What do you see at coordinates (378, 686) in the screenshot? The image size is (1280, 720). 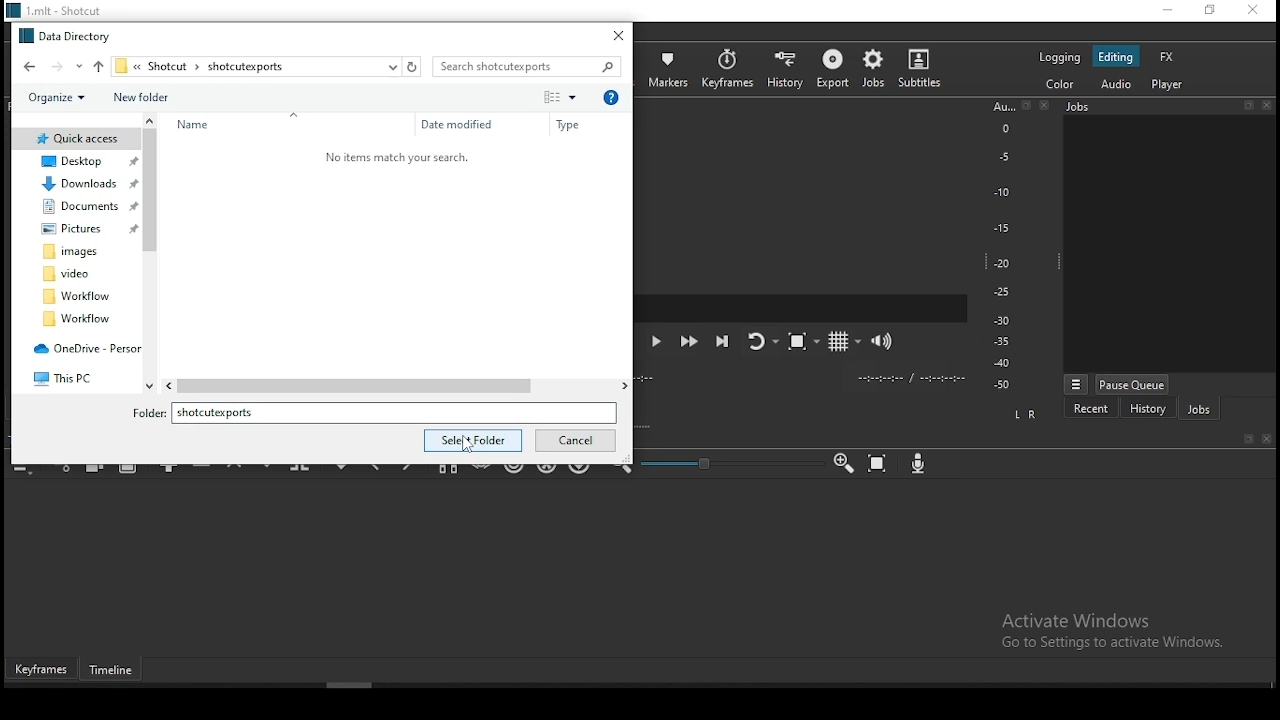 I see `scroll bar` at bounding box center [378, 686].